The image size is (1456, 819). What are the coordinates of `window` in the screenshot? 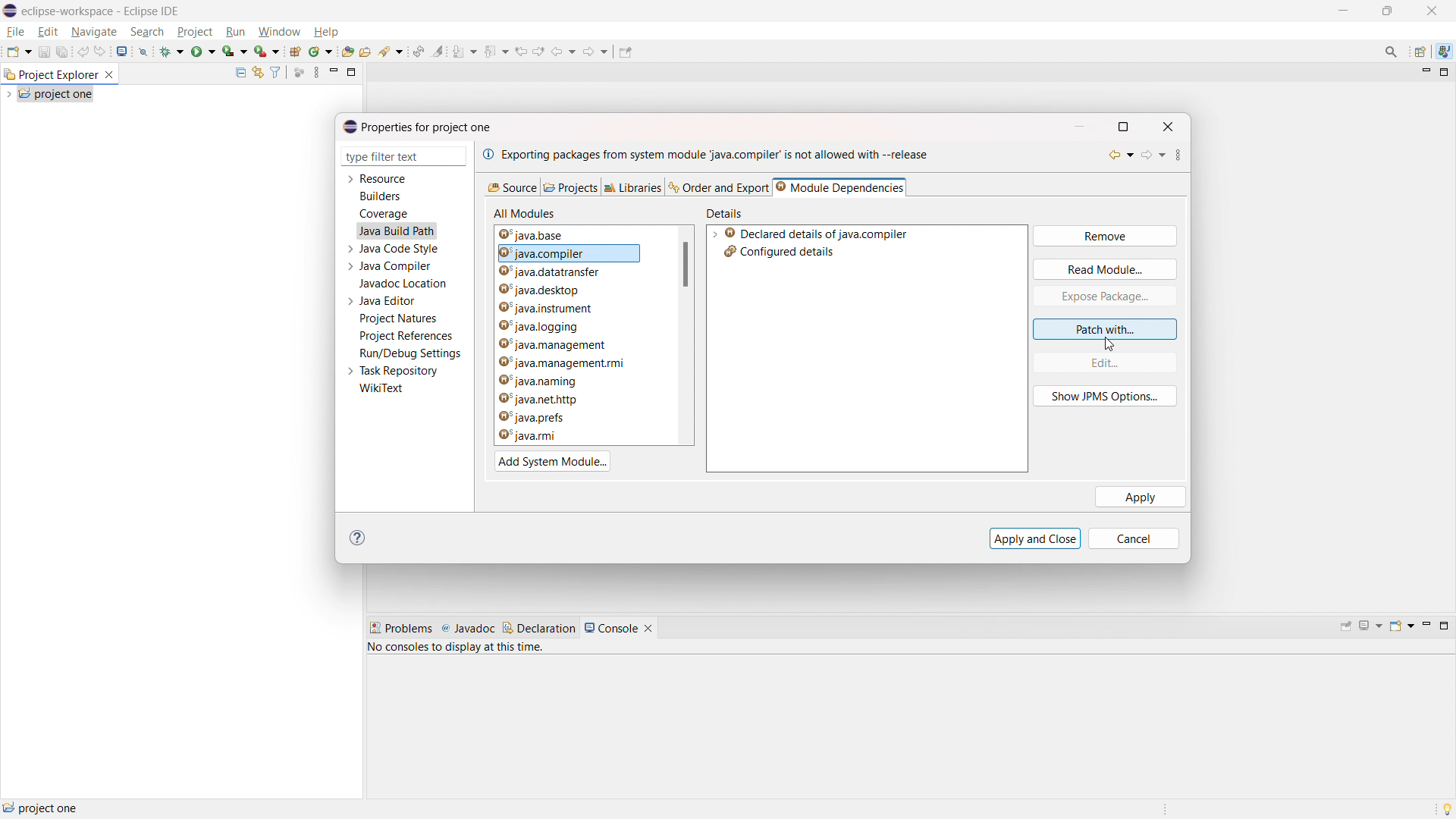 It's located at (278, 33).